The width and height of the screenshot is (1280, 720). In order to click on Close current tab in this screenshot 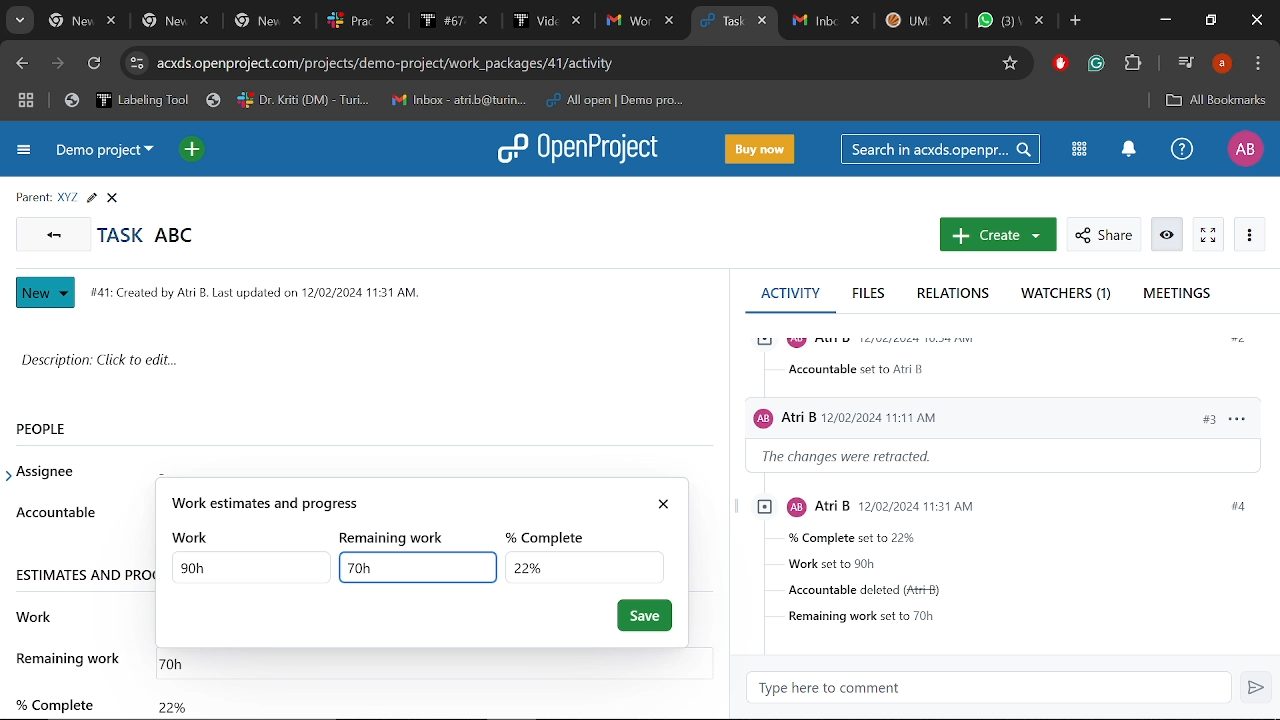, I will do `click(764, 23)`.